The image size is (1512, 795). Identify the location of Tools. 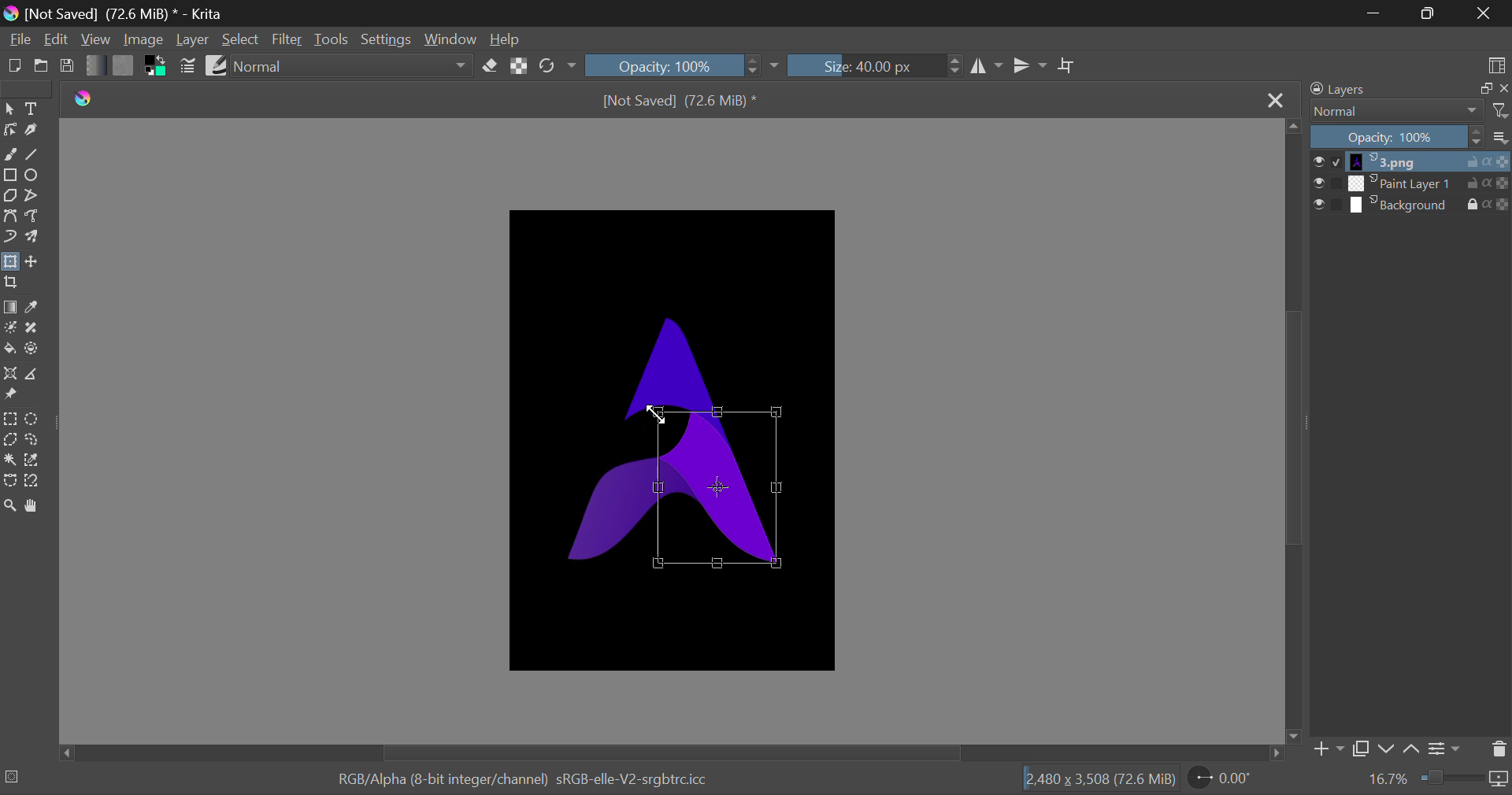
(334, 39).